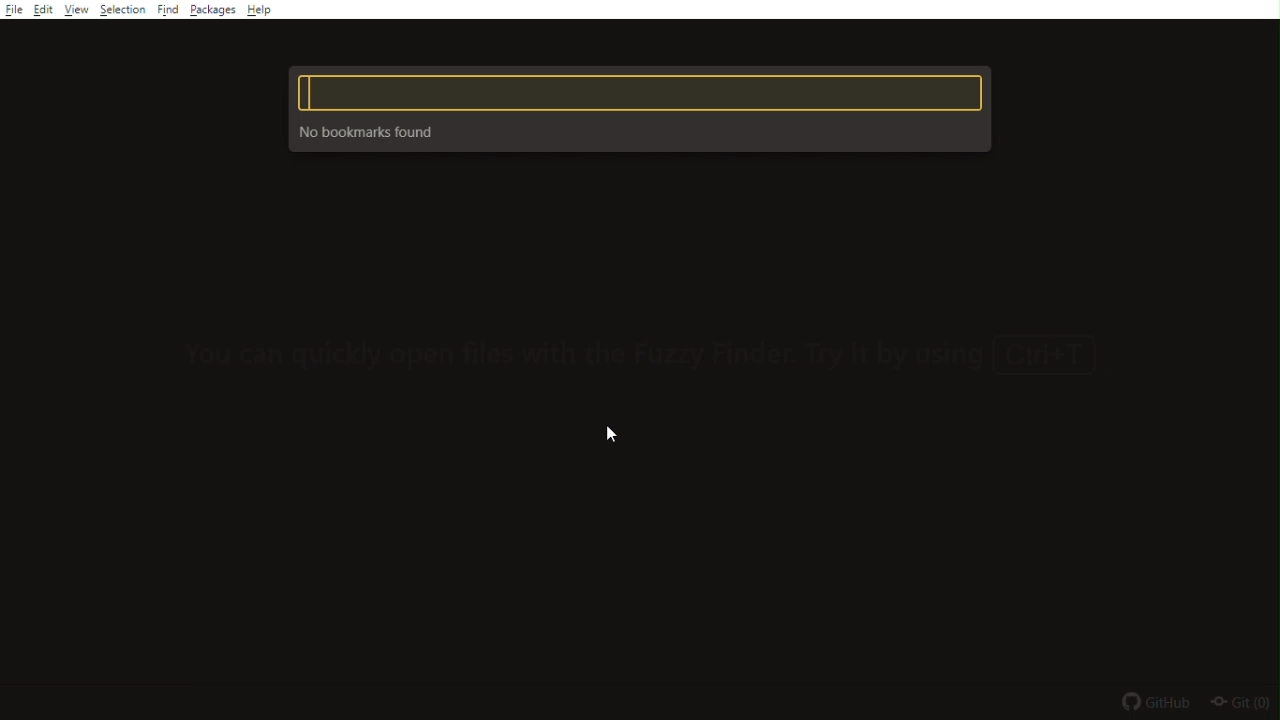 Image resolution: width=1280 pixels, height=720 pixels. What do you see at coordinates (213, 13) in the screenshot?
I see `Packages` at bounding box center [213, 13].